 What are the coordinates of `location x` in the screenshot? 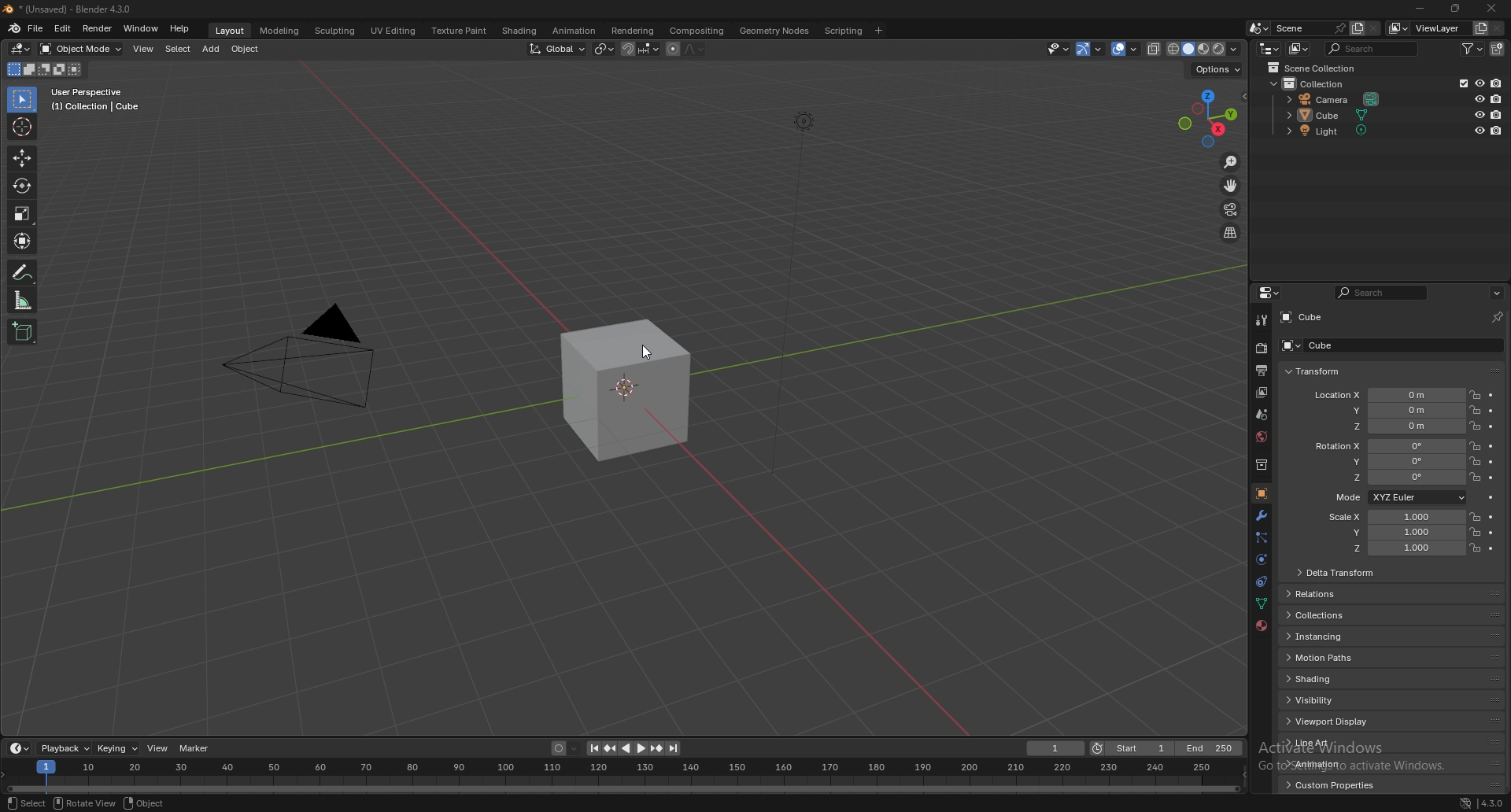 It's located at (1388, 396).